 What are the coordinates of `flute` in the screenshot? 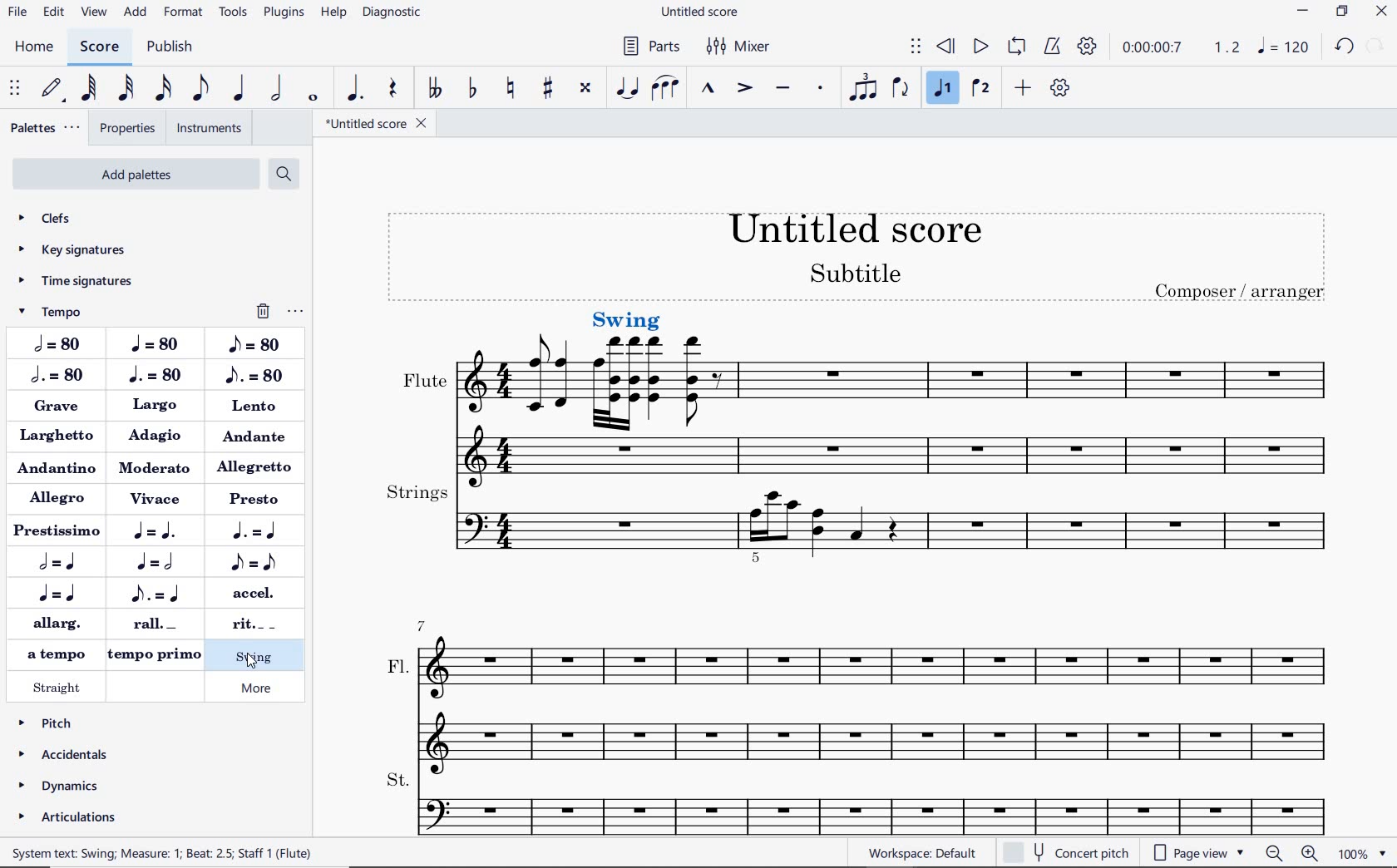 It's located at (482, 403).